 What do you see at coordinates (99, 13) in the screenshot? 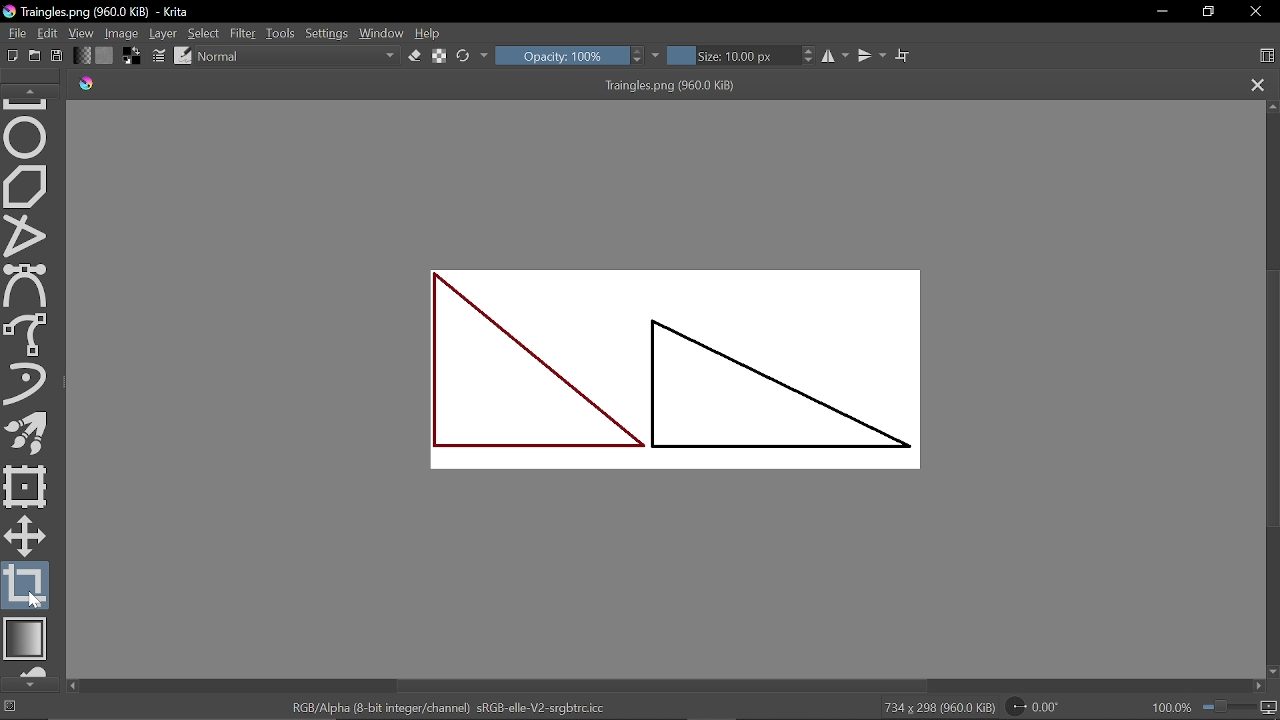
I see `Traingles.png (960.0 KiB) - Krita` at bounding box center [99, 13].